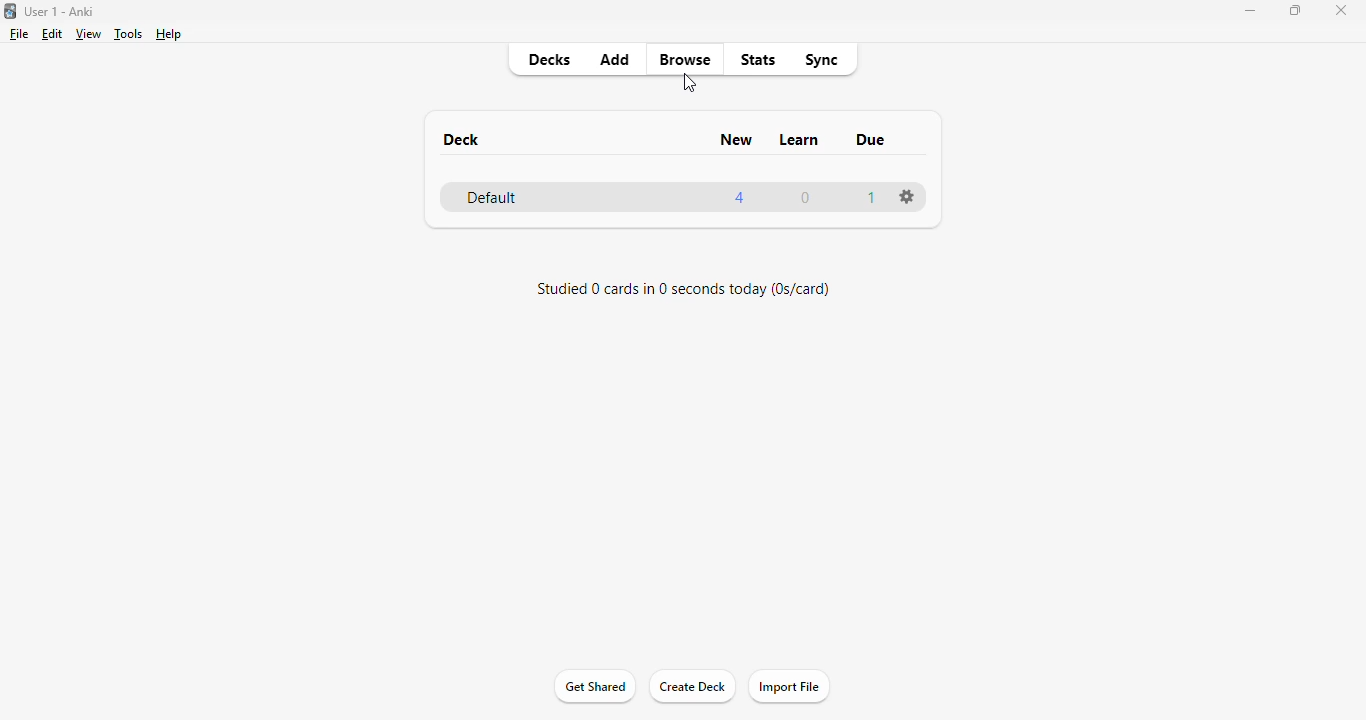  I want to click on options, so click(906, 196).